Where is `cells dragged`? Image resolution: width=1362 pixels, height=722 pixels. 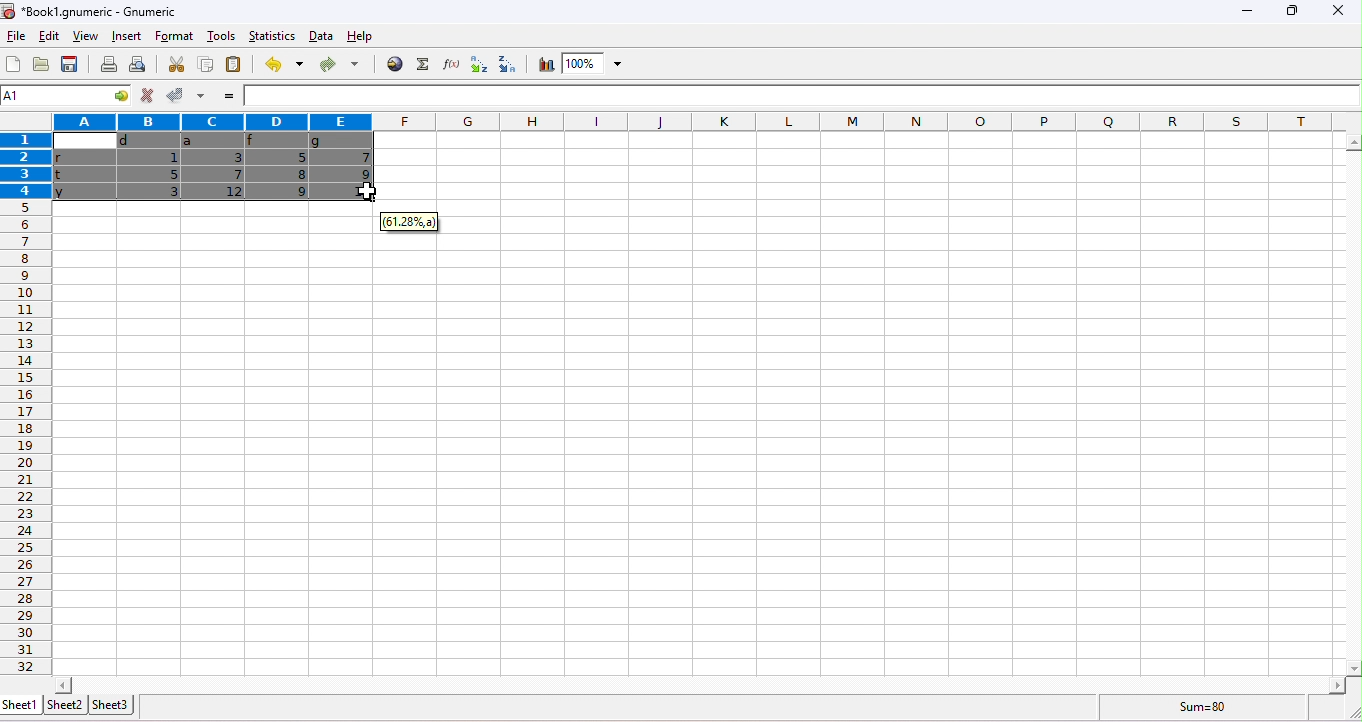
cells dragged is located at coordinates (215, 166).